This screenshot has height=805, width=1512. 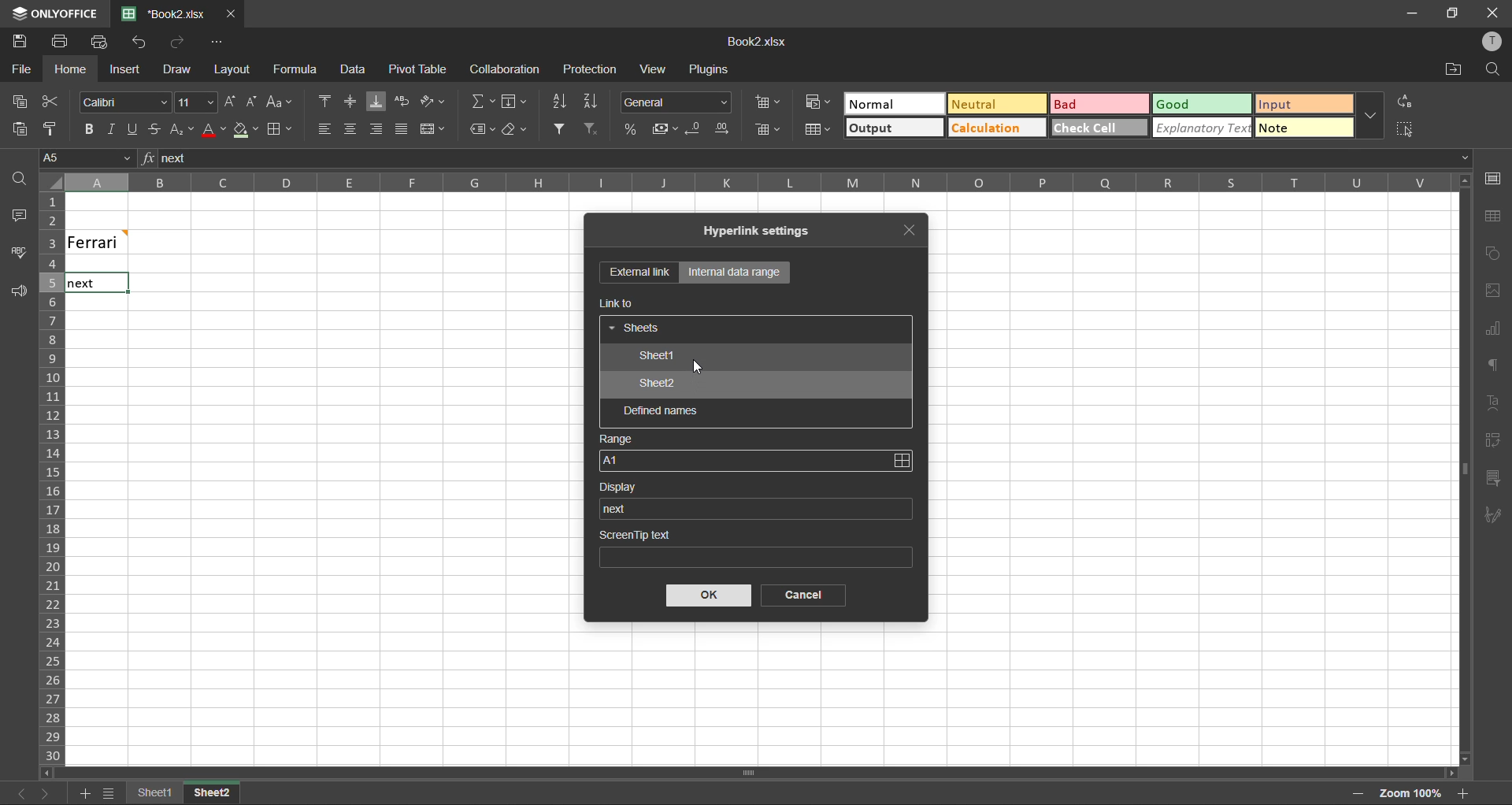 I want to click on bold, so click(x=87, y=129).